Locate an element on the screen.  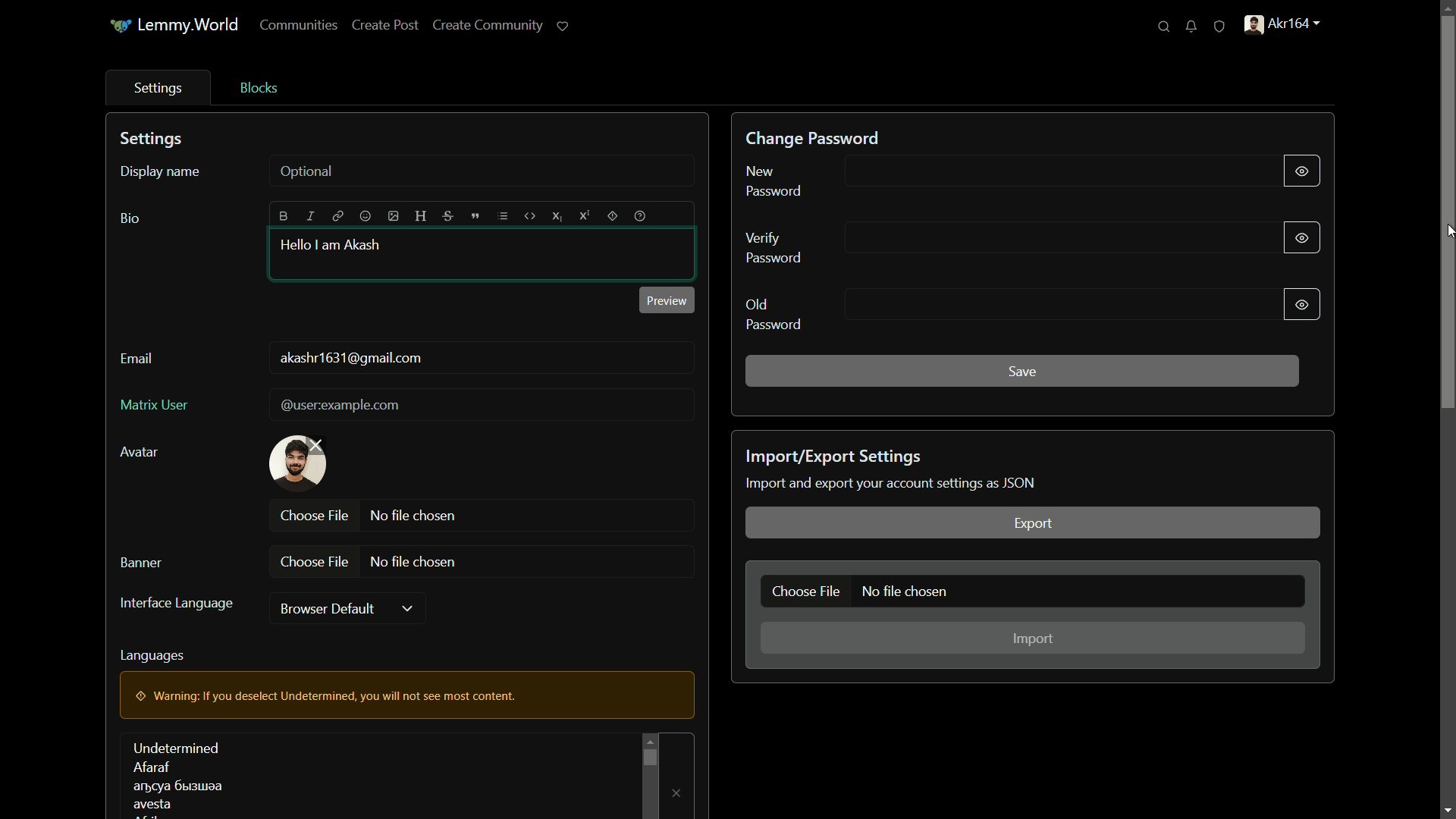
no file chosen is located at coordinates (416, 516).